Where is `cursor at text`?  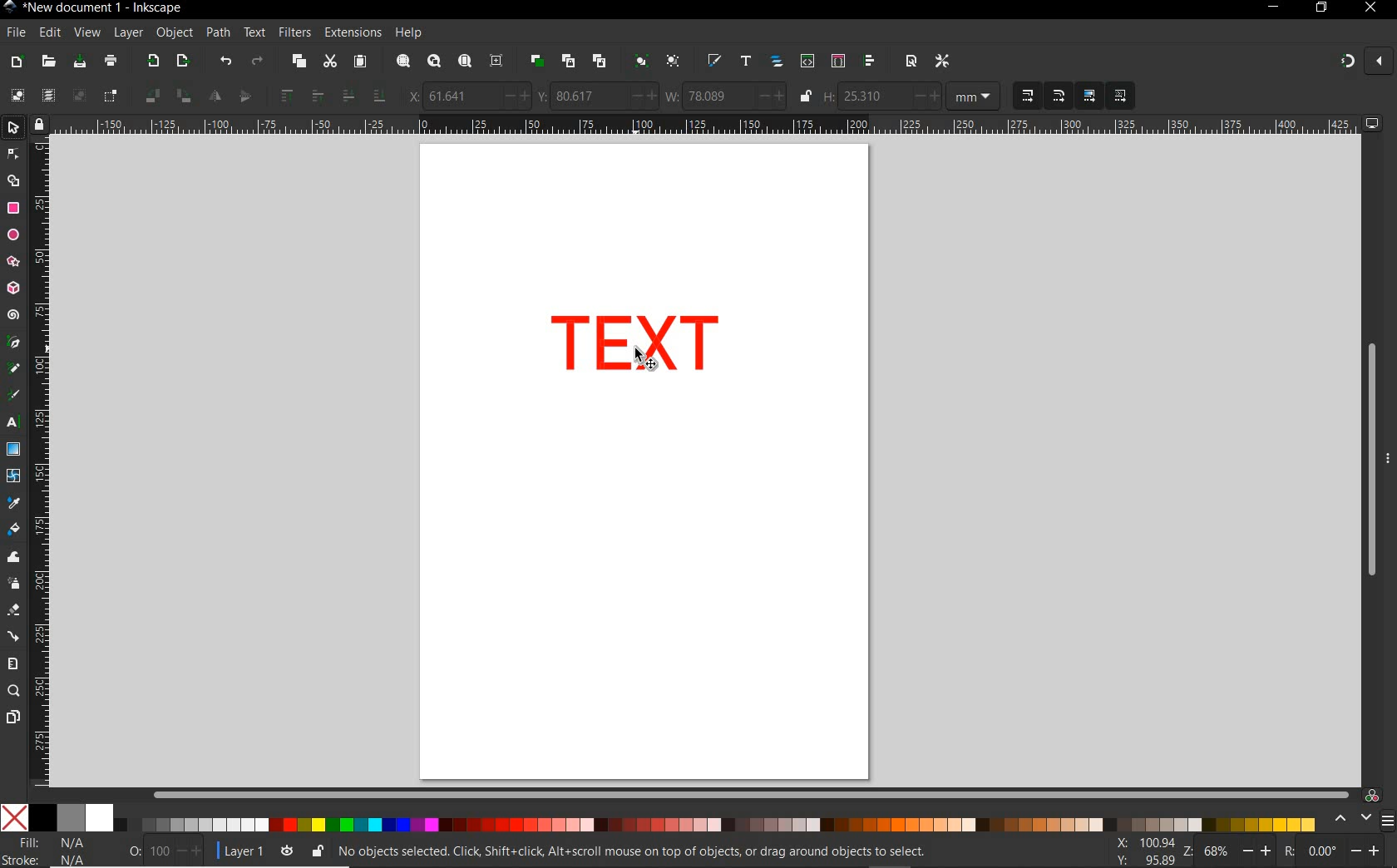
cursor at text is located at coordinates (647, 359).